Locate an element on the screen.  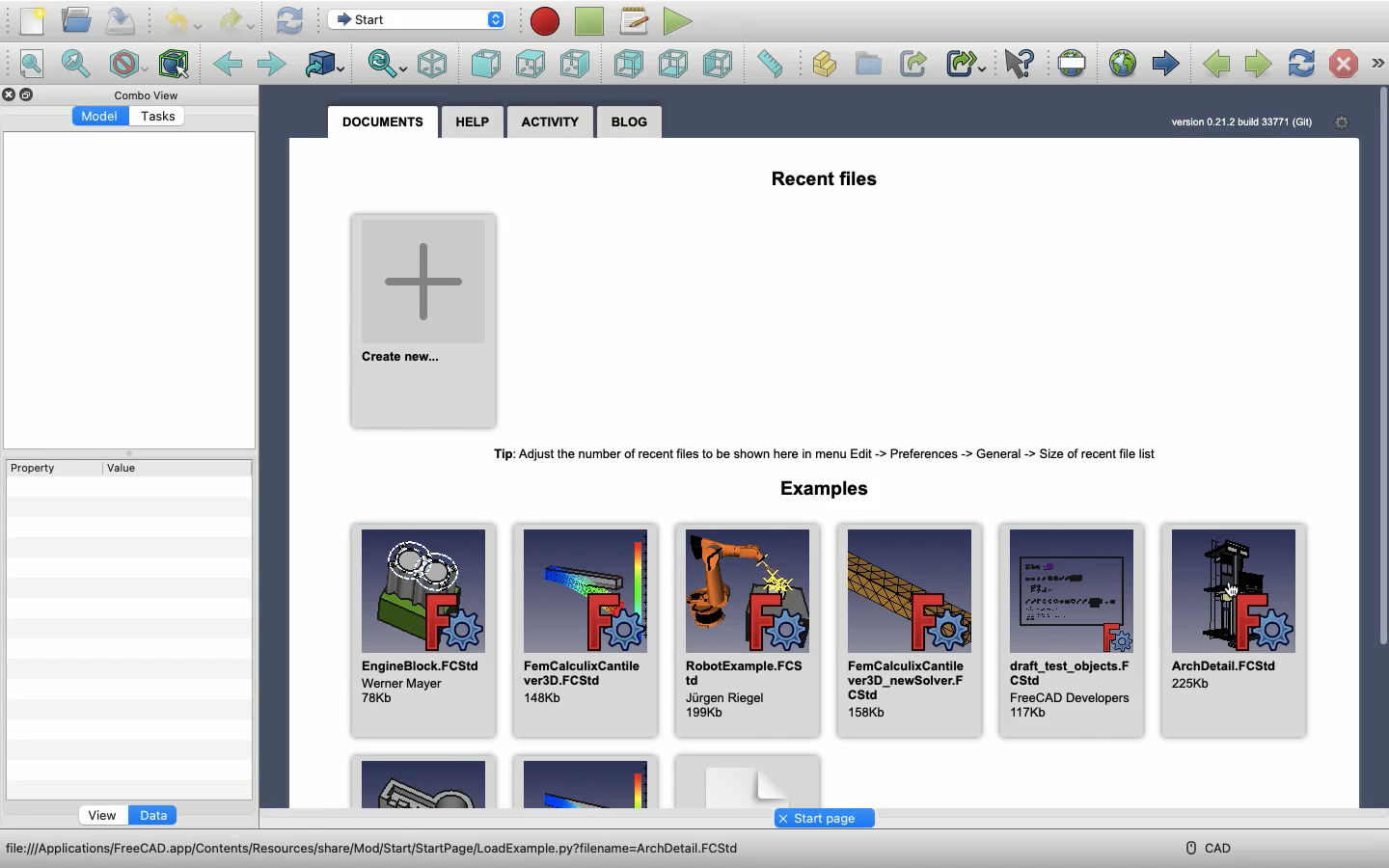
Previous page is located at coordinates (1214, 65).